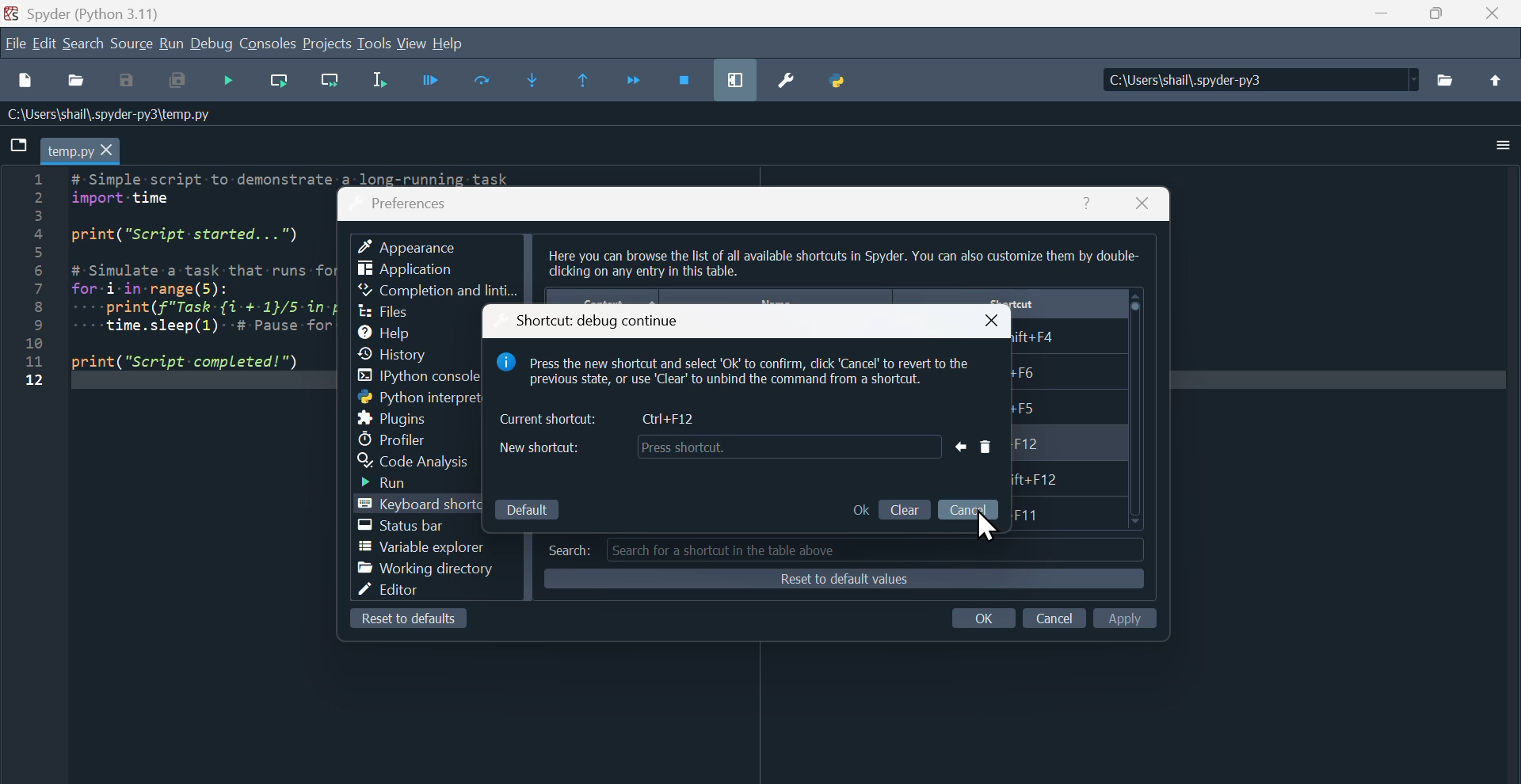 The width and height of the screenshot is (1521, 784). I want to click on , so click(1054, 615).